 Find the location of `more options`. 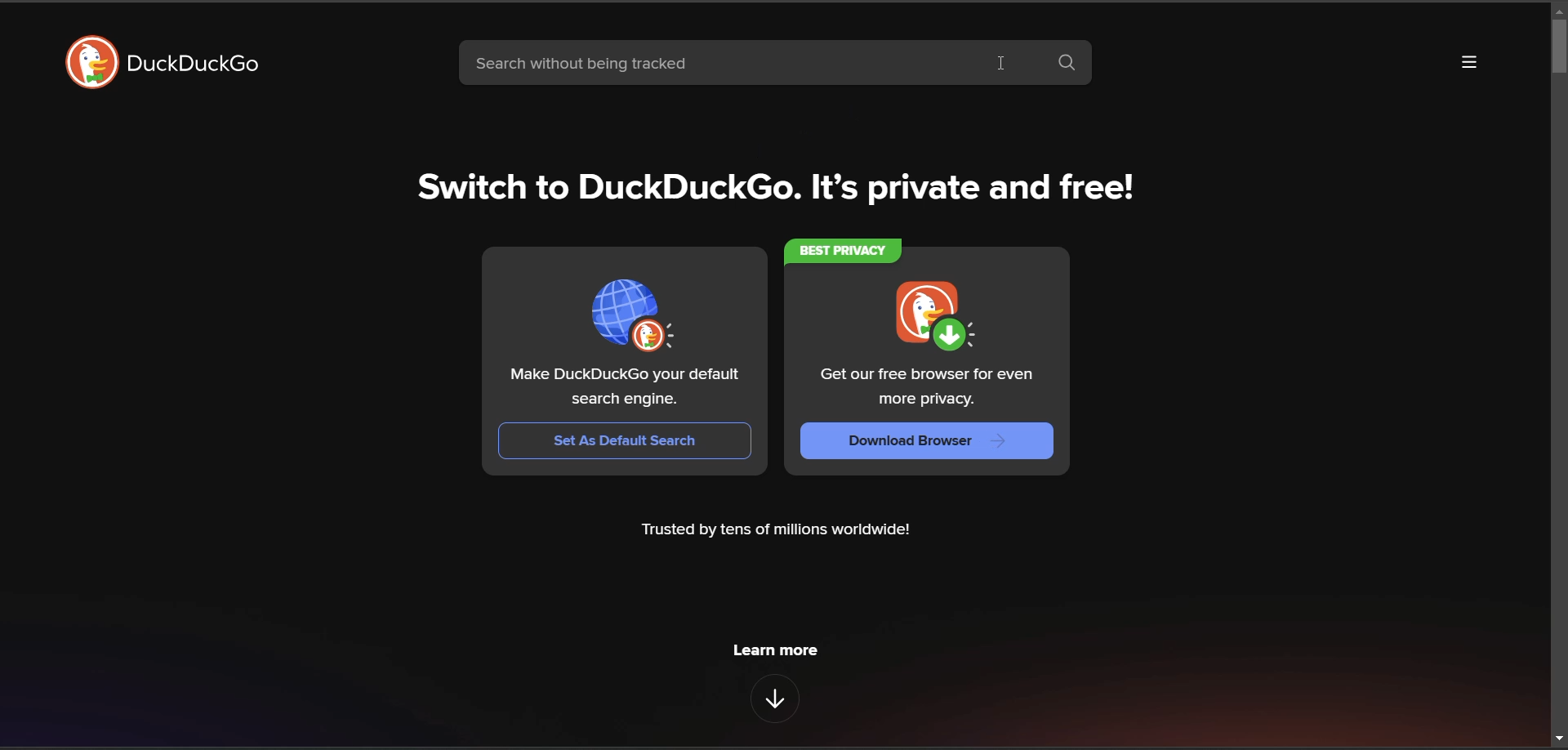

more options is located at coordinates (1466, 65).